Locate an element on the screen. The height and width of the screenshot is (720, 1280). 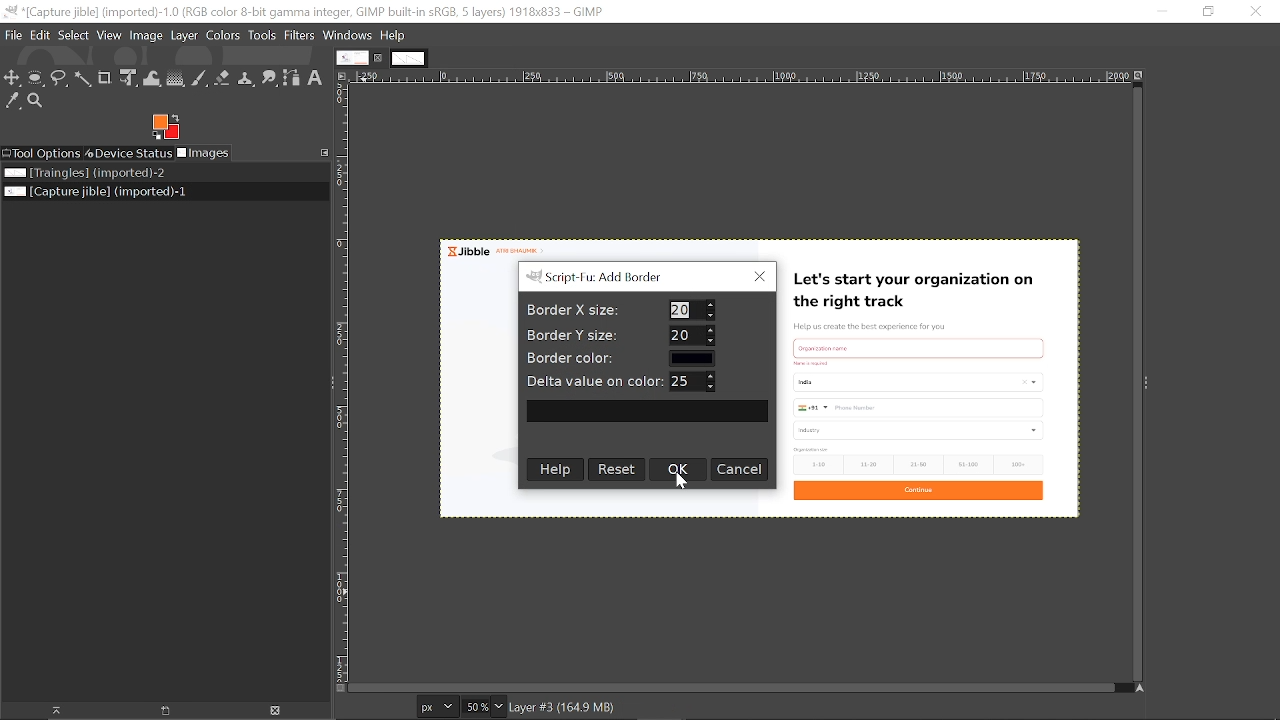
Gradient tool is located at coordinates (176, 78).